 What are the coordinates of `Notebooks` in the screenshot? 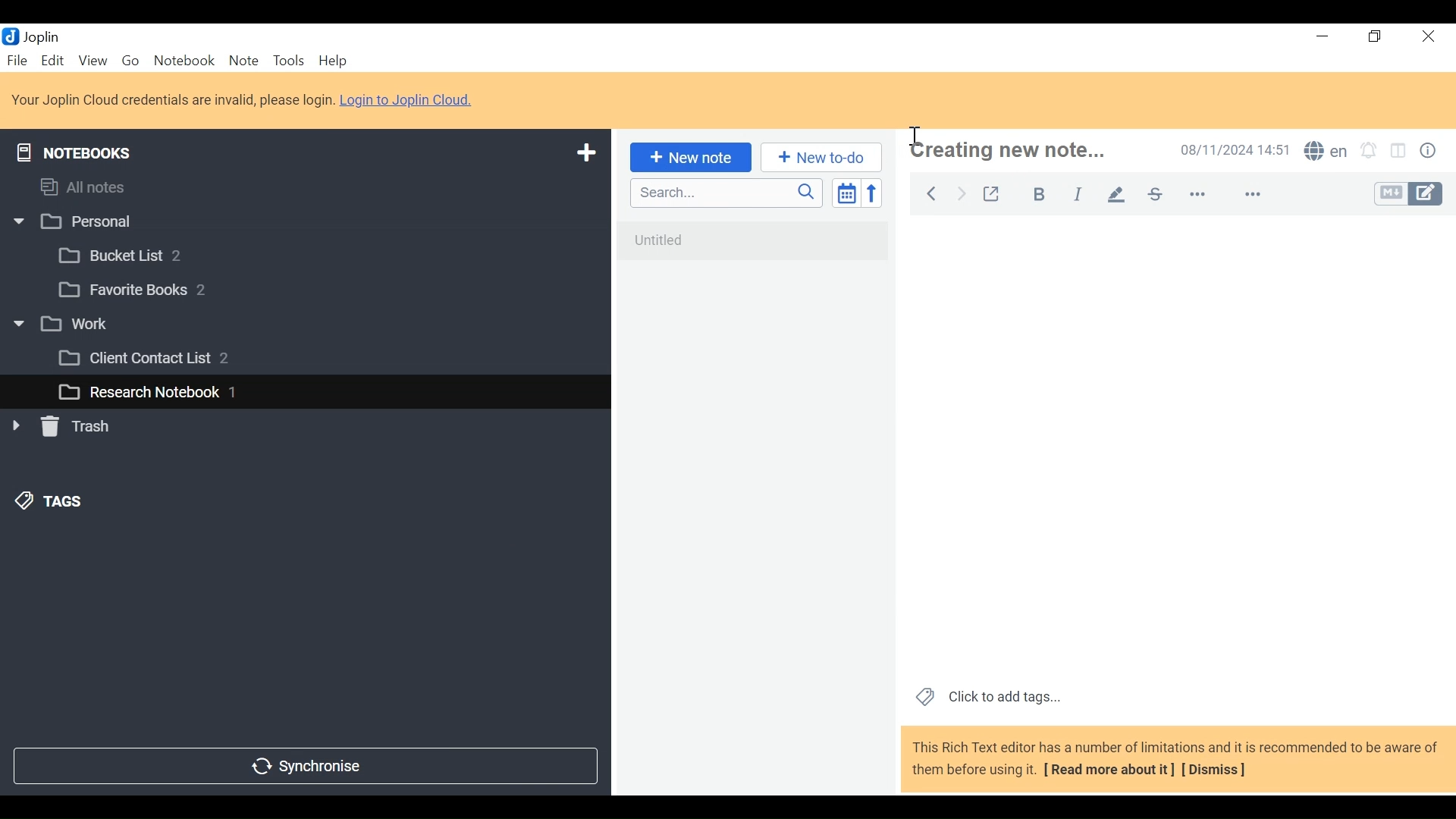 It's located at (85, 149).